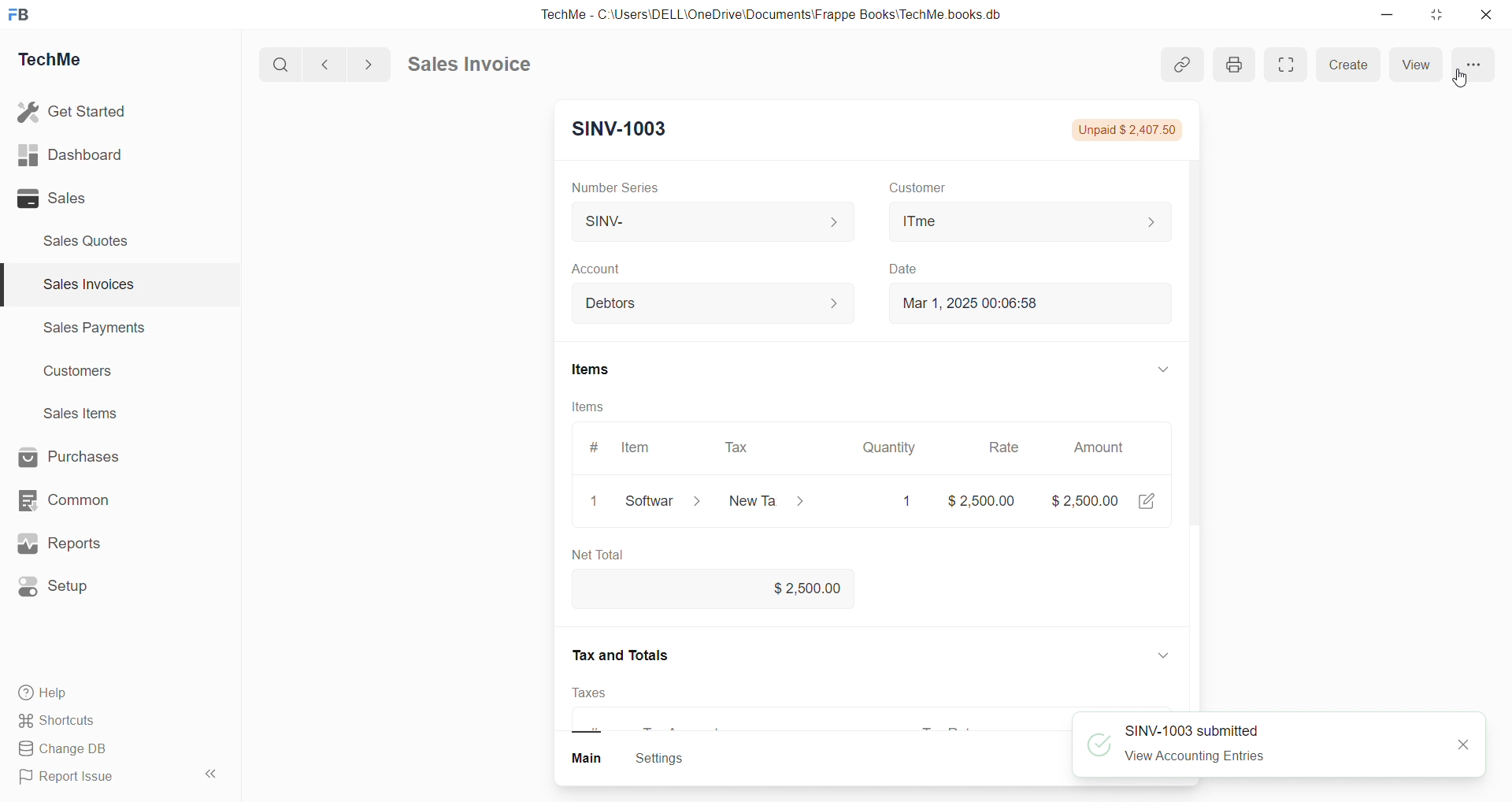 This screenshot has height=802, width=1512. I want to click on TechMe - C-\Users\DELL\OneDrive\Documents\Frappe Books'TechMe books db, so click(787, 12).